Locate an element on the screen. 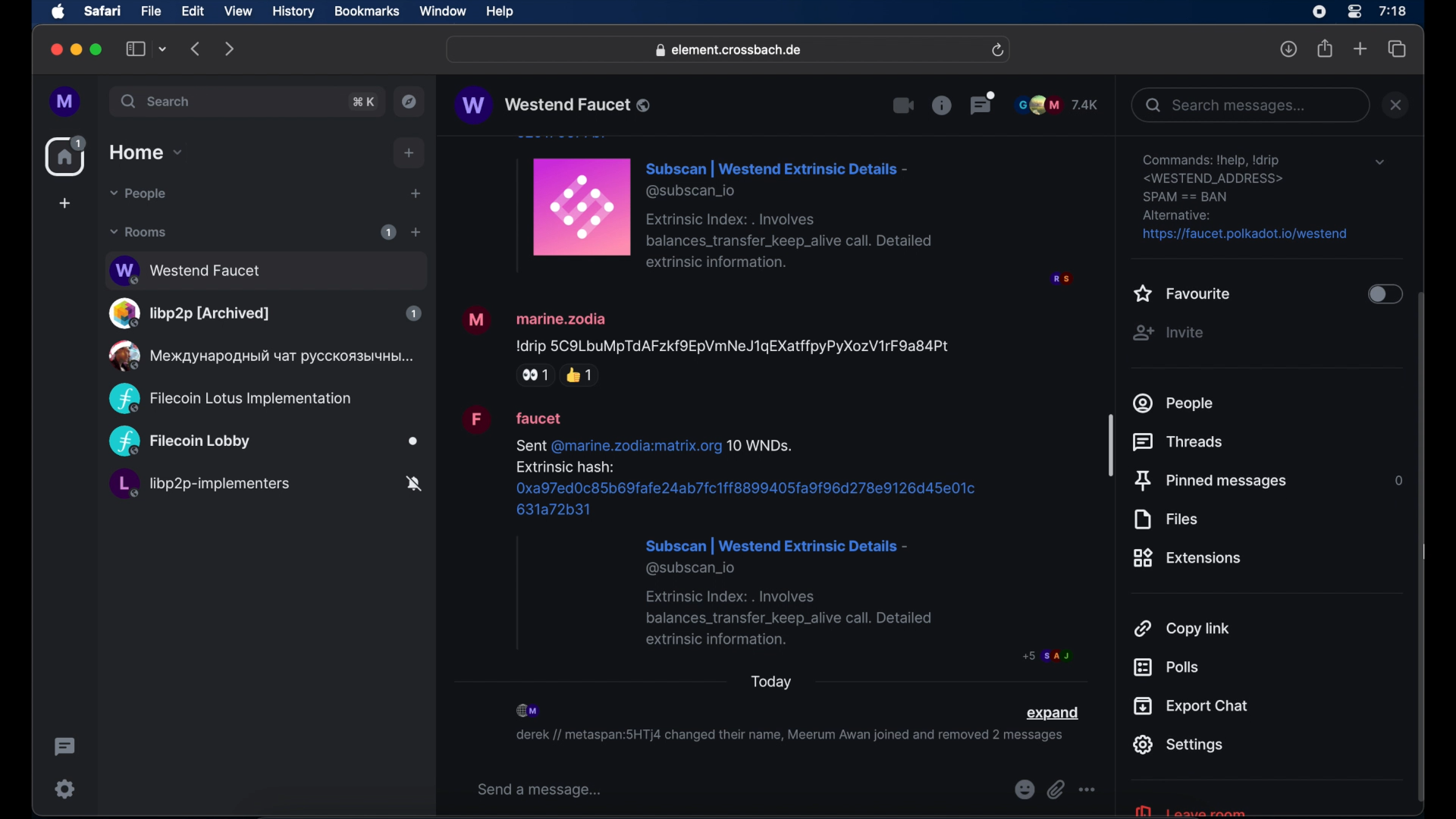 This screenshot has height=819, width=1456. history is located at coordinates (293, 12).